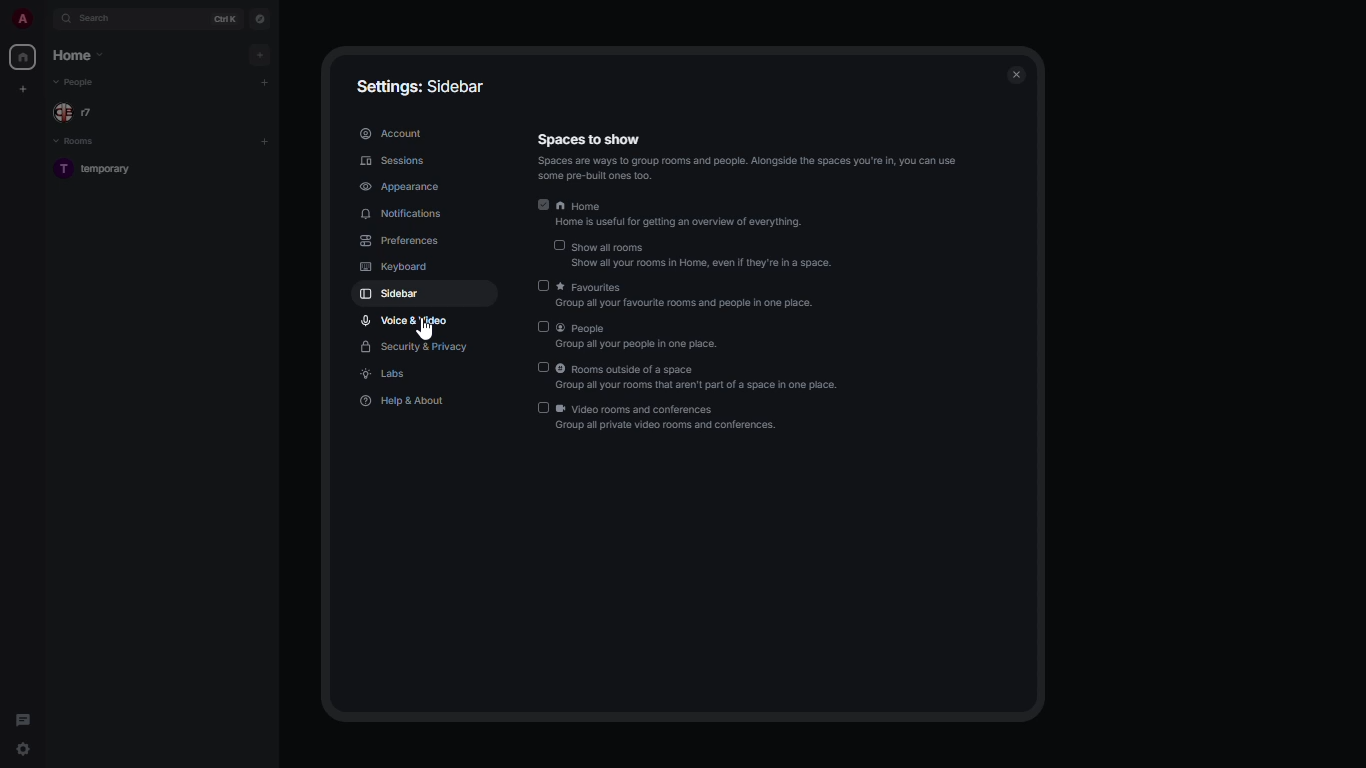  Describe the element at coordinates (24, 749) in the screenshot. I see `quick settings` at that location.